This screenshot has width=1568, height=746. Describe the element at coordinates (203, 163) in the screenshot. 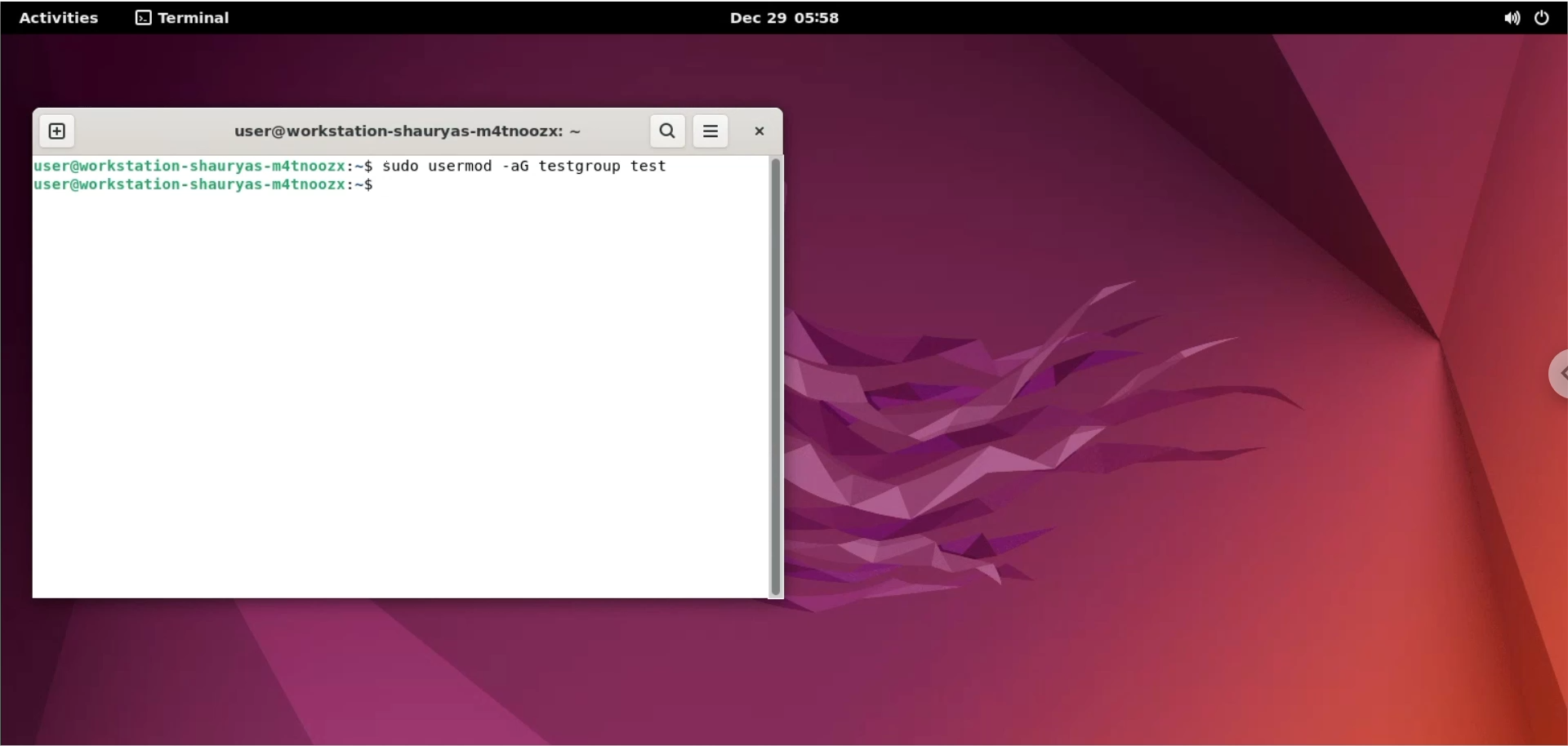

I see `user@workstation-shauryas-m4tnoozx:-$` at that location.